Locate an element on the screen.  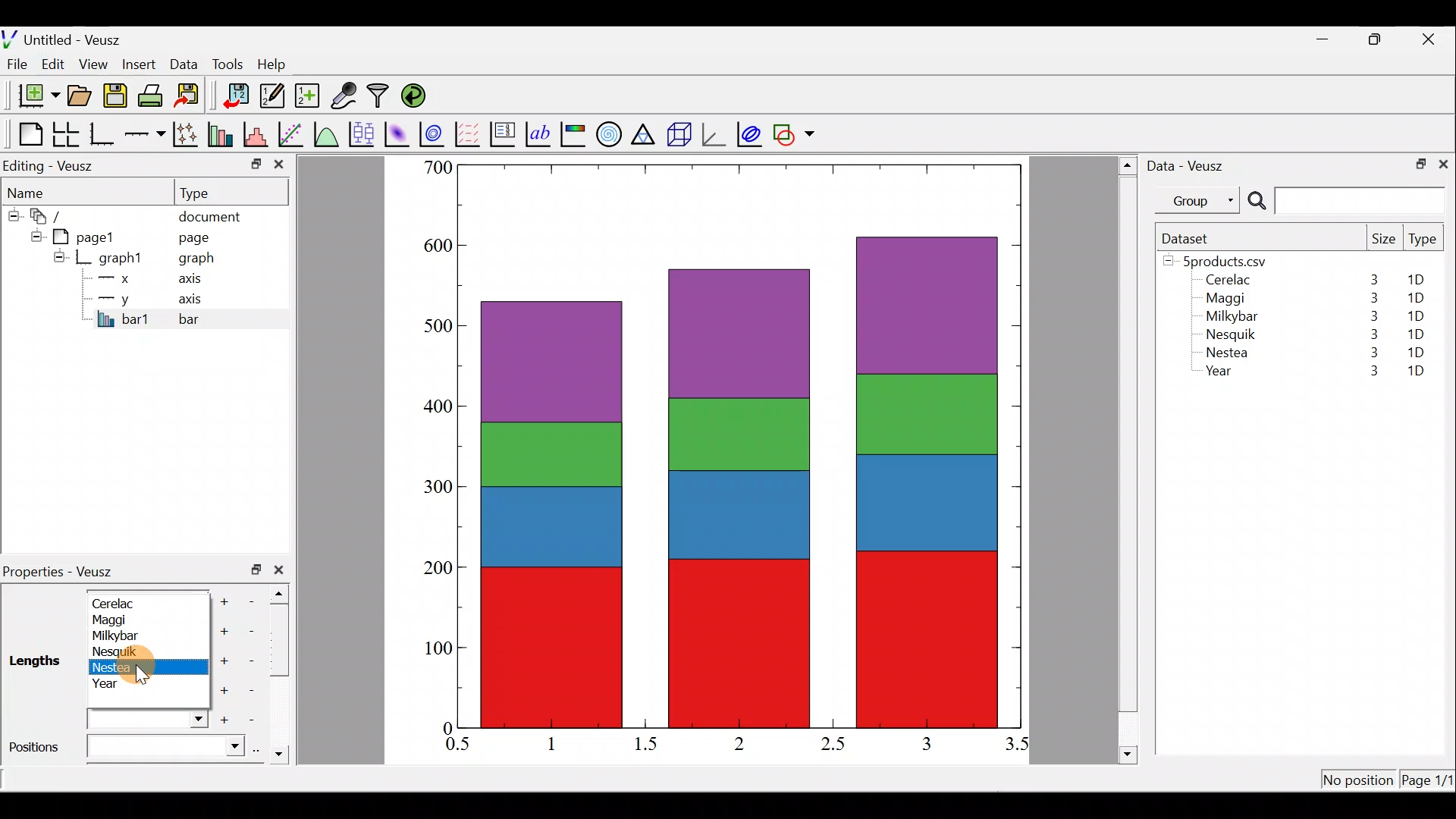
2.5 is located at coordinates (833, 744).